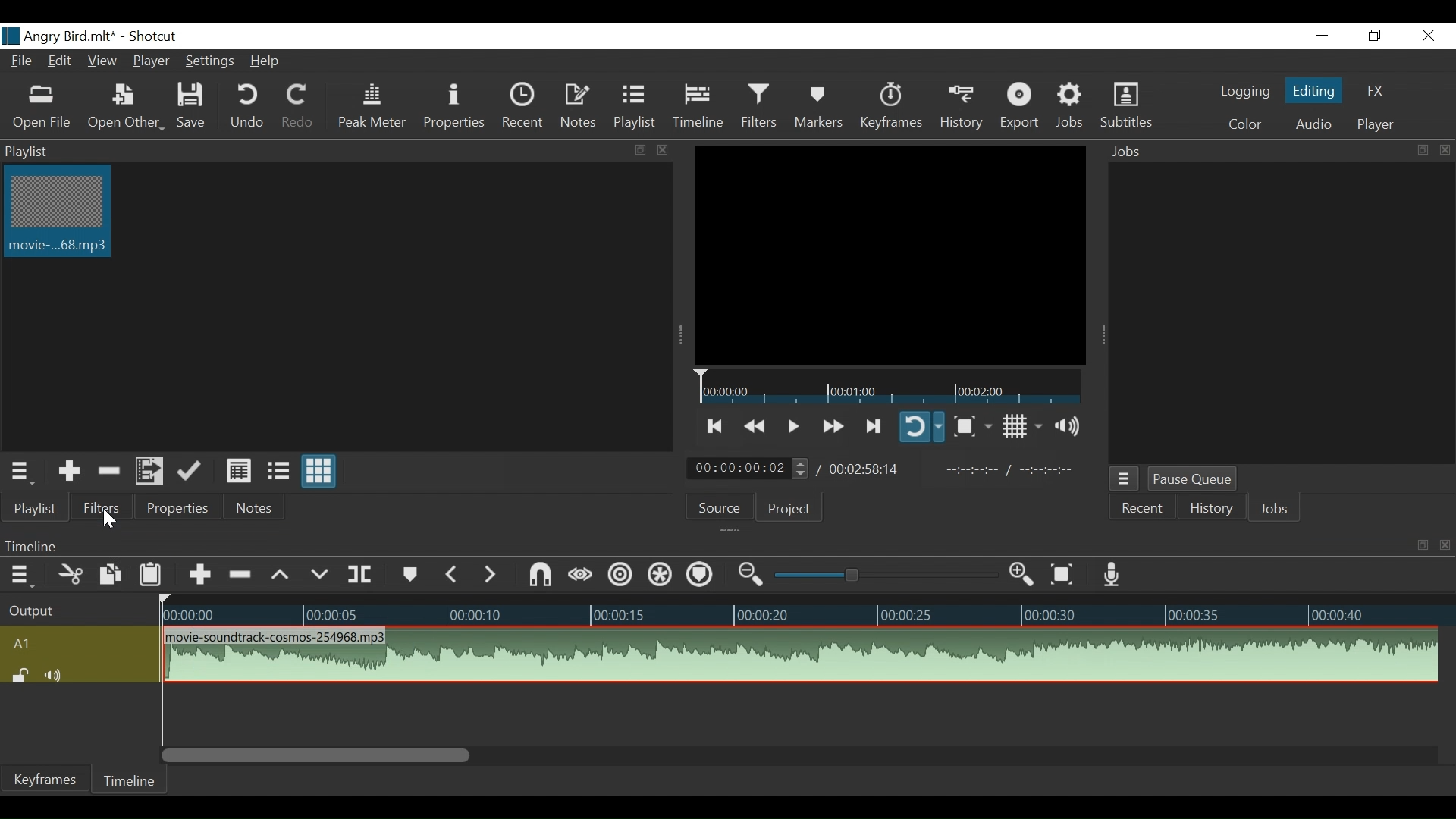 This screenshot has height=819, width=1456. What do you see at coordinates (1025, 575) in the screenshot?
I see `Zoom timeline in` at bounding box center [1025, 575].